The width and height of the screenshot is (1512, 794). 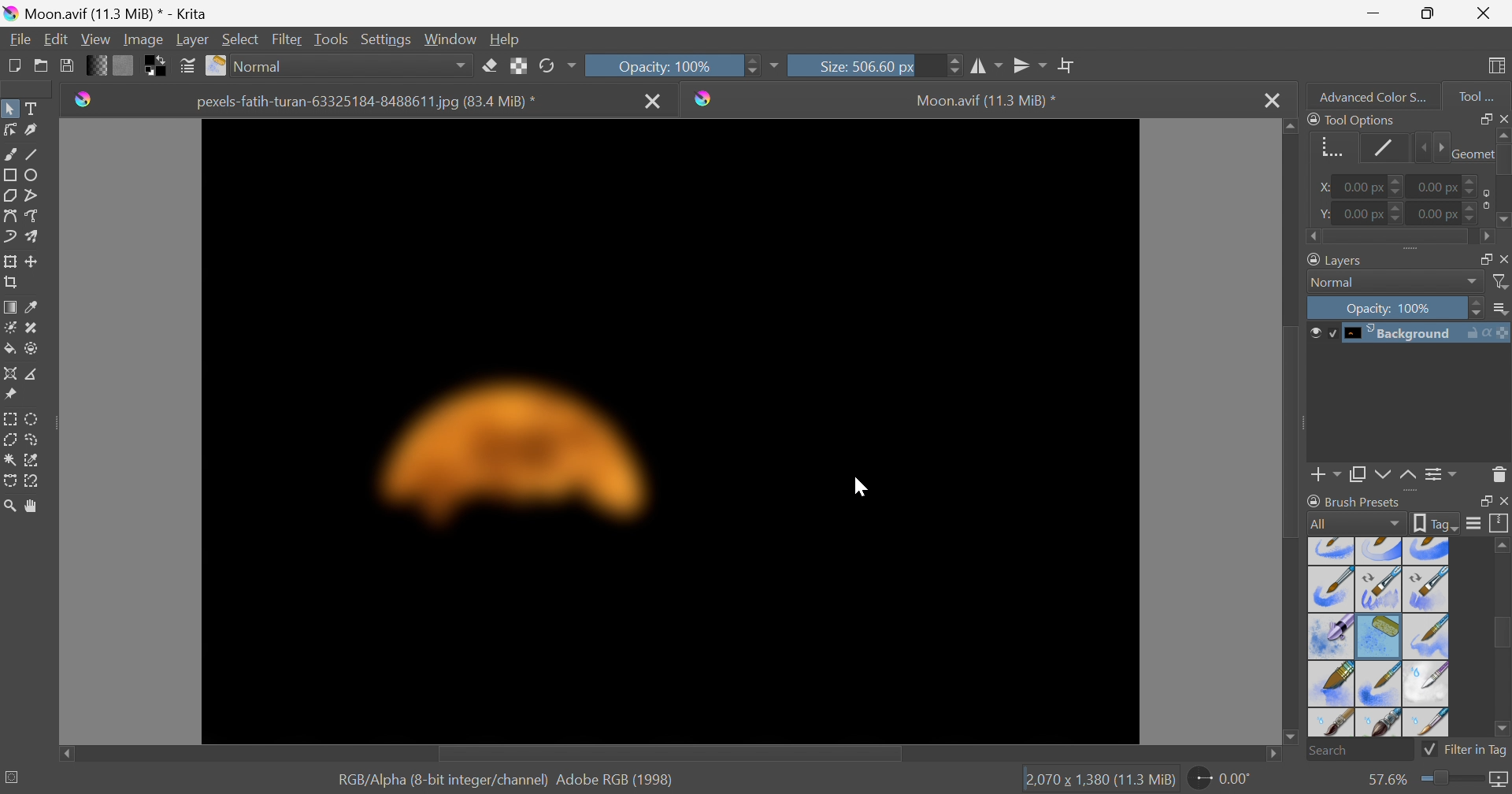 What do you see at coordinates (9, 216) in the screenshot?
I see `Bezier curve tool` at bounding box center [9, 216].